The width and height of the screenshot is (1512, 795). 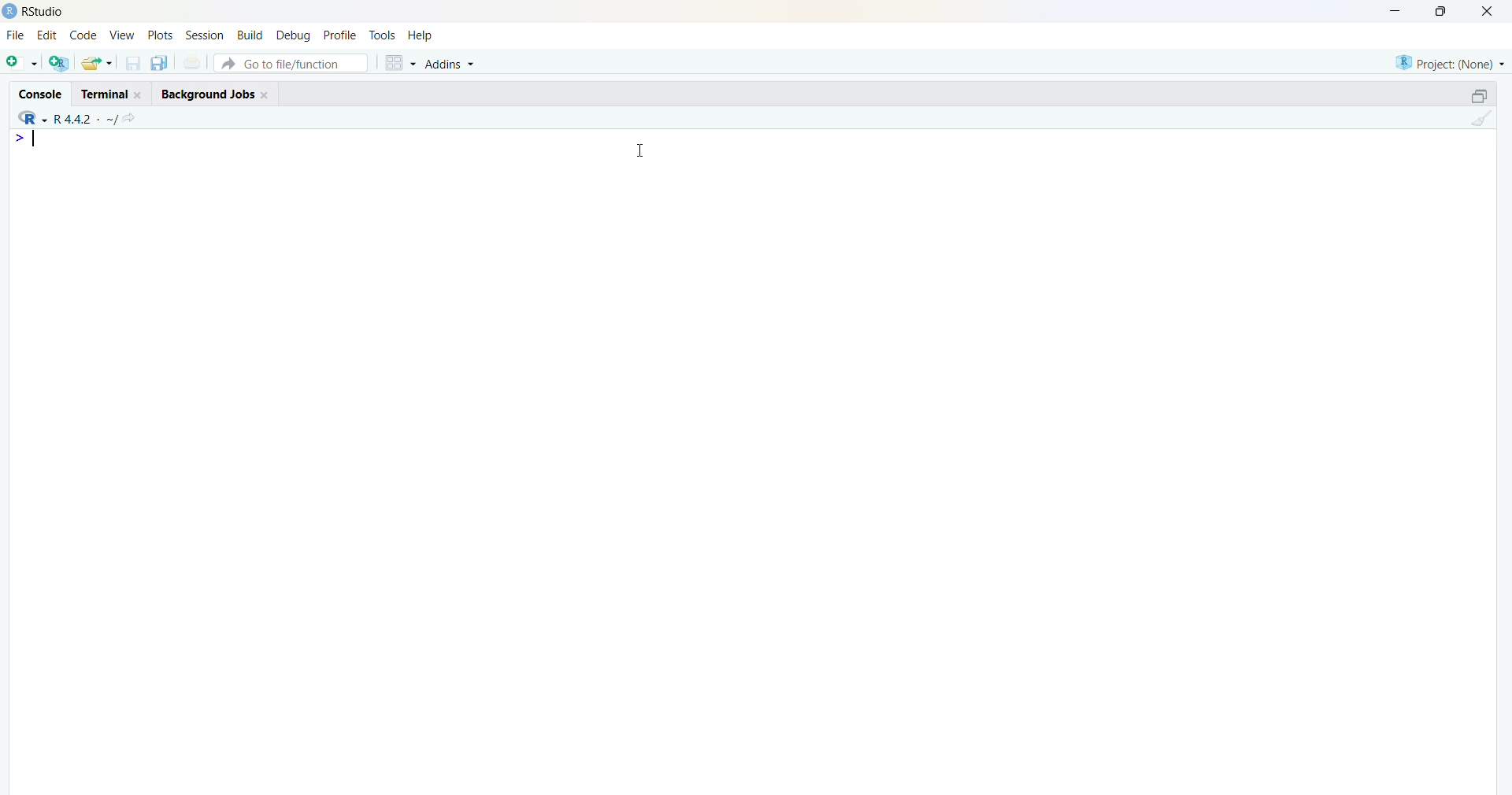 I want to click on debug, so click(x=294, y=35).